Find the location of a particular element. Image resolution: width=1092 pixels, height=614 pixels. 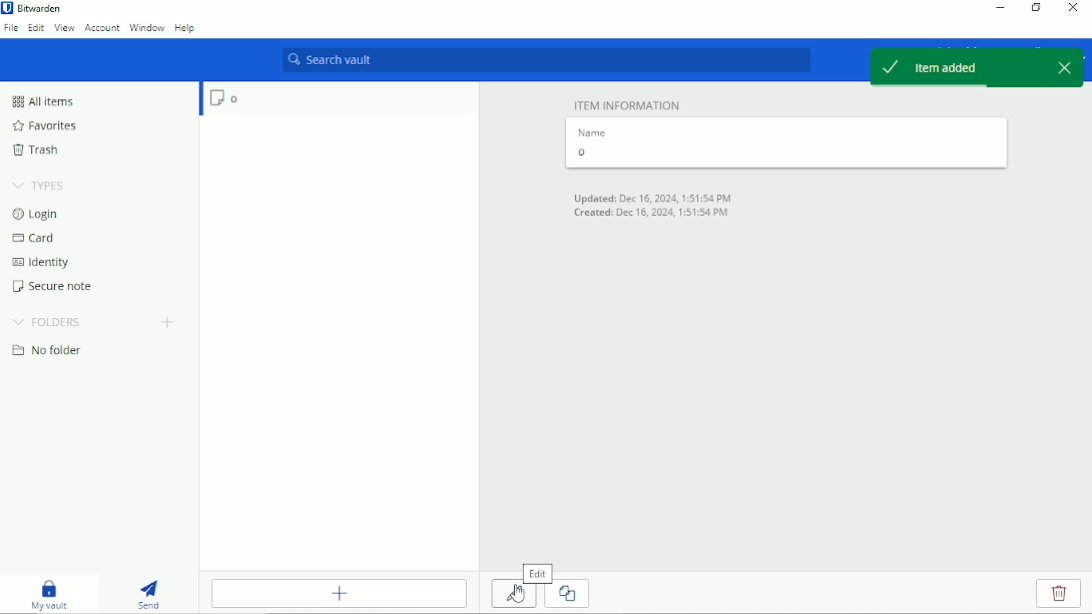

o is located at coordinates (219, 100).